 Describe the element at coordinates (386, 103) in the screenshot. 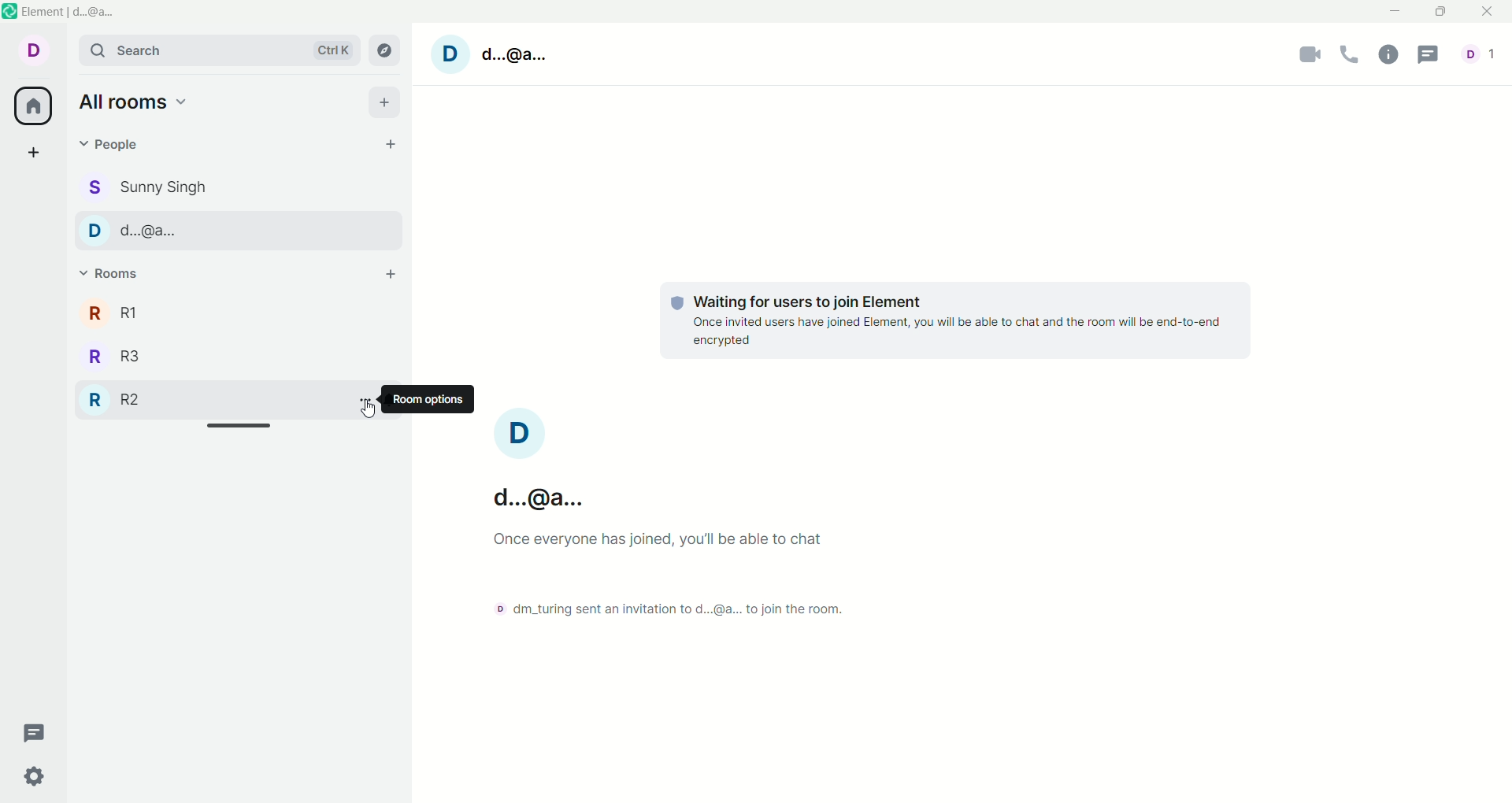

I see `add` at that location.